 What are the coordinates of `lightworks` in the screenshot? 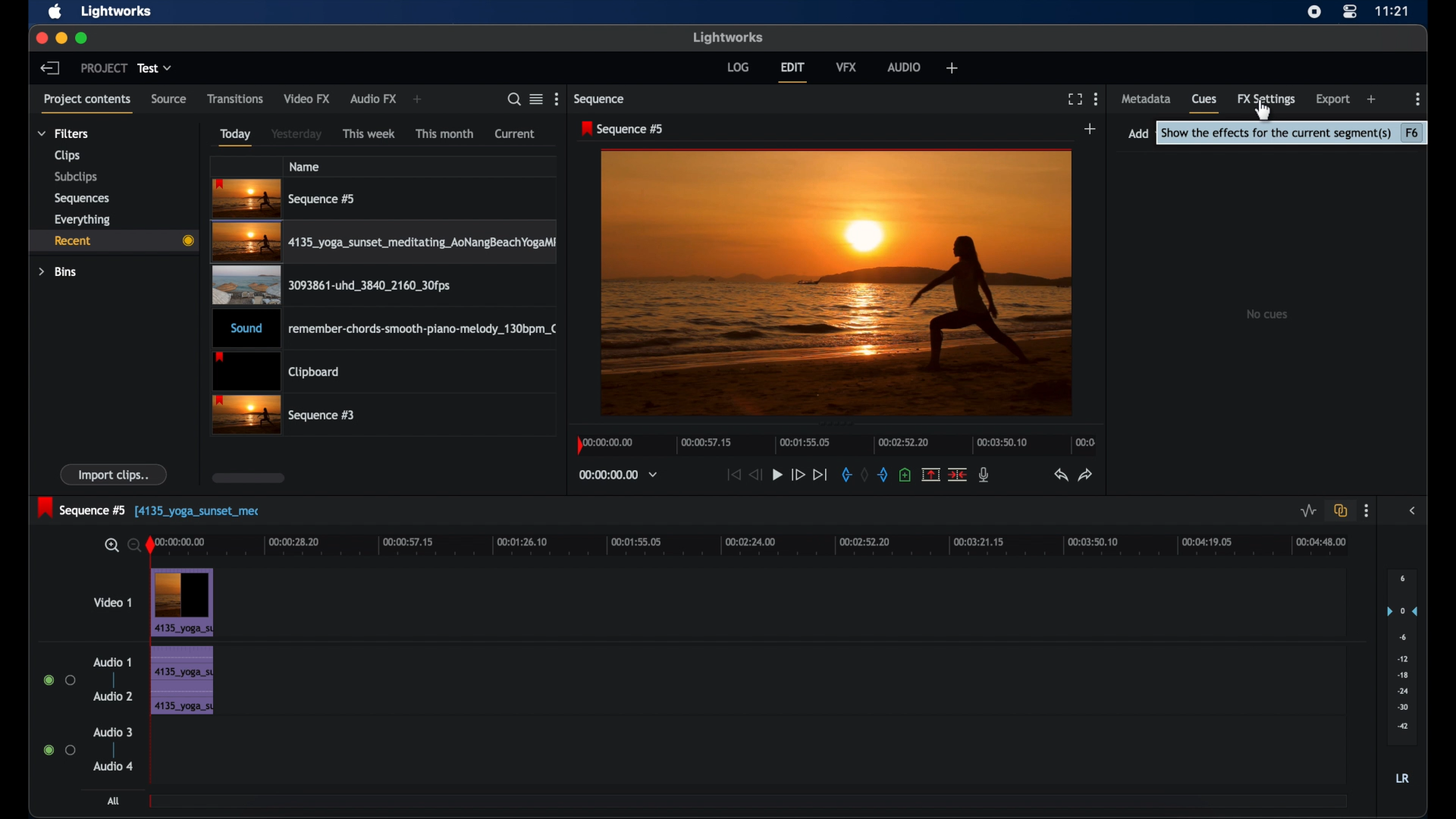 It's located at (730, 37).